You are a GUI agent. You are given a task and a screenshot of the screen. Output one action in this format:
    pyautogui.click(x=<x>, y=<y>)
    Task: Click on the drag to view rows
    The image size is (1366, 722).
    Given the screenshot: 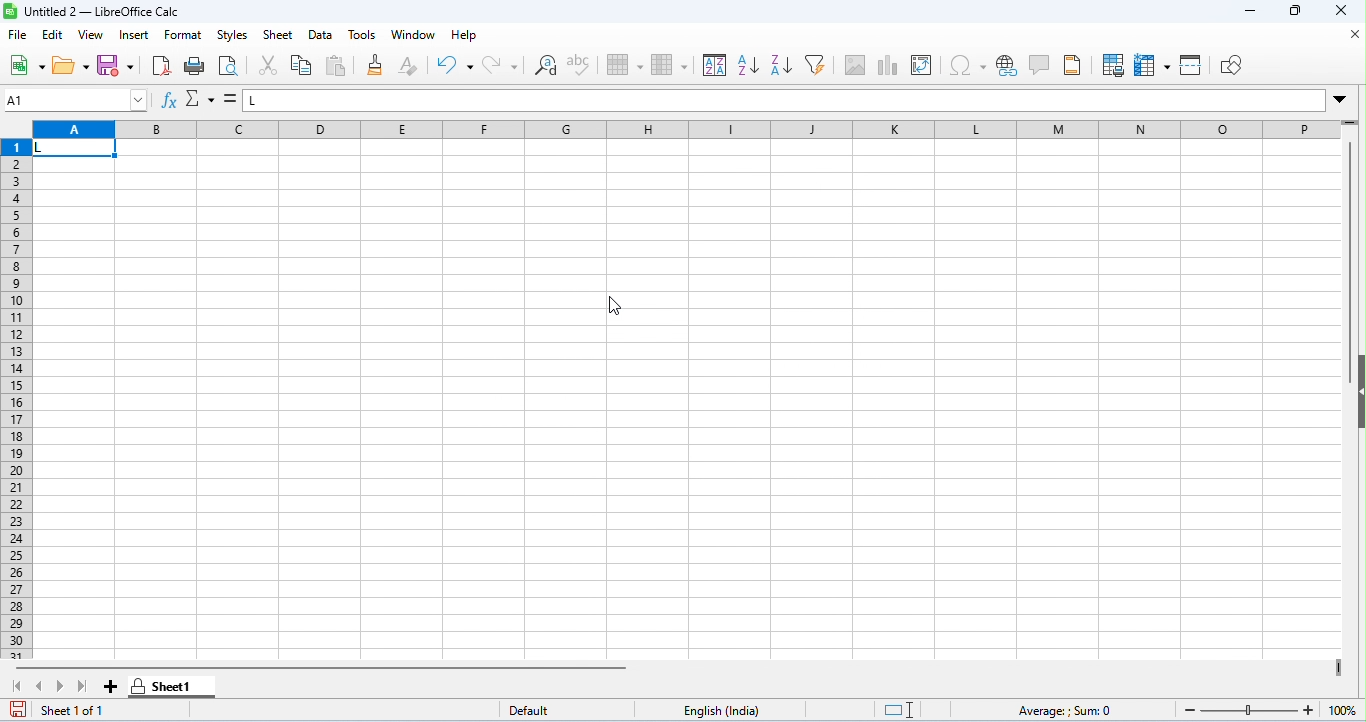 What is the action you would take?
    pyautogui.click(x=1350, y=122)
    